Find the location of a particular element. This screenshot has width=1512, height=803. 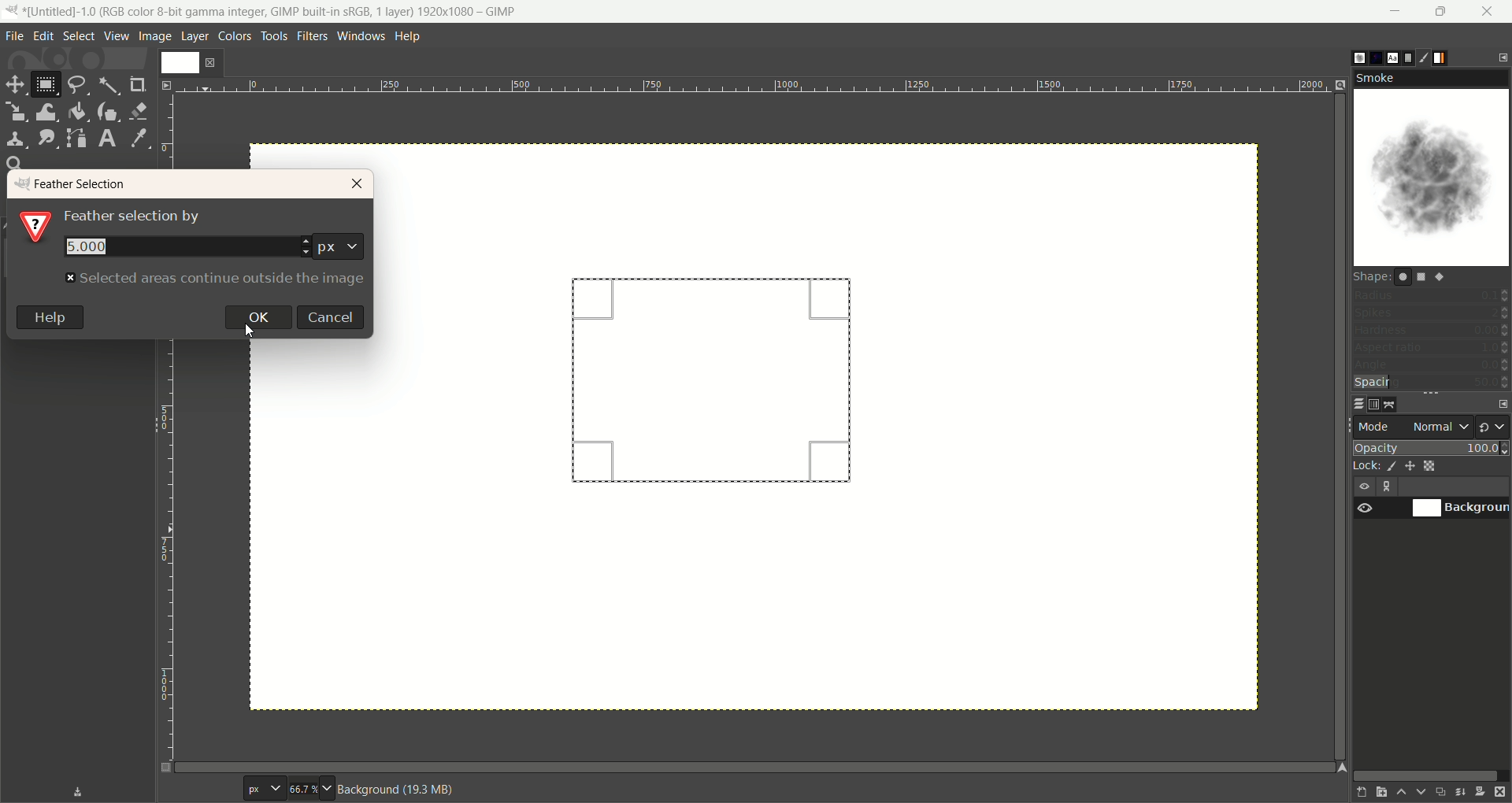

canvas is located at coordinates (824, 435).